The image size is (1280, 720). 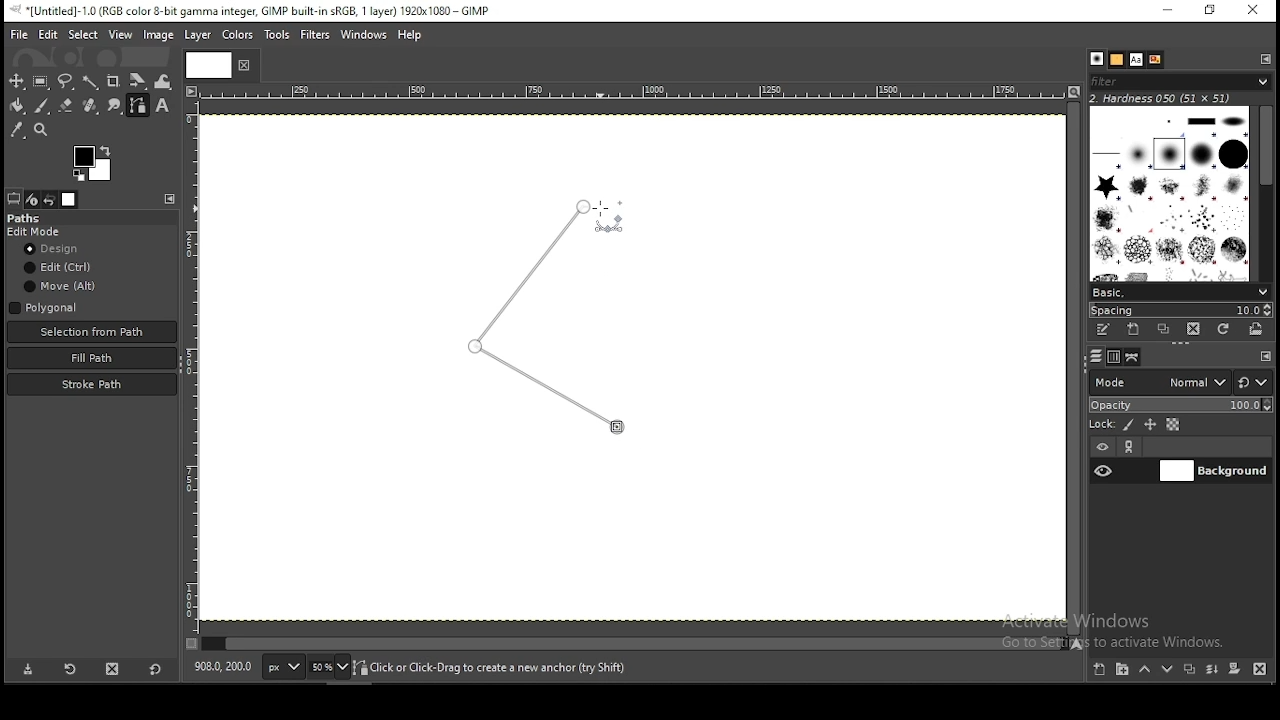 What do you see at coordinates (1073, 368) in the screenshot?
I see `scroll bar` at bounding box center [1073, 368].